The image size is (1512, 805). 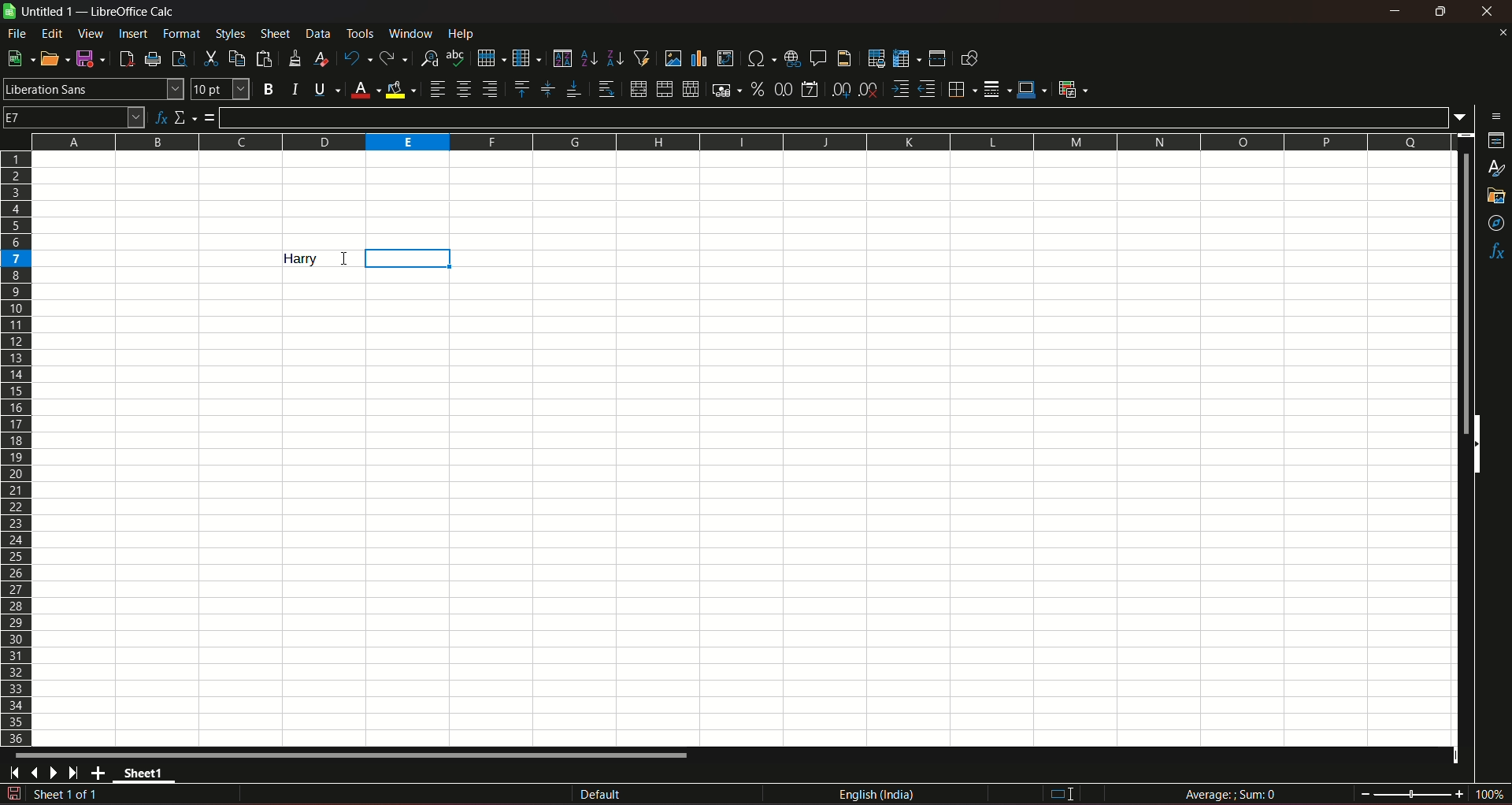 I want to click on copy, so click(x=237, y=58).